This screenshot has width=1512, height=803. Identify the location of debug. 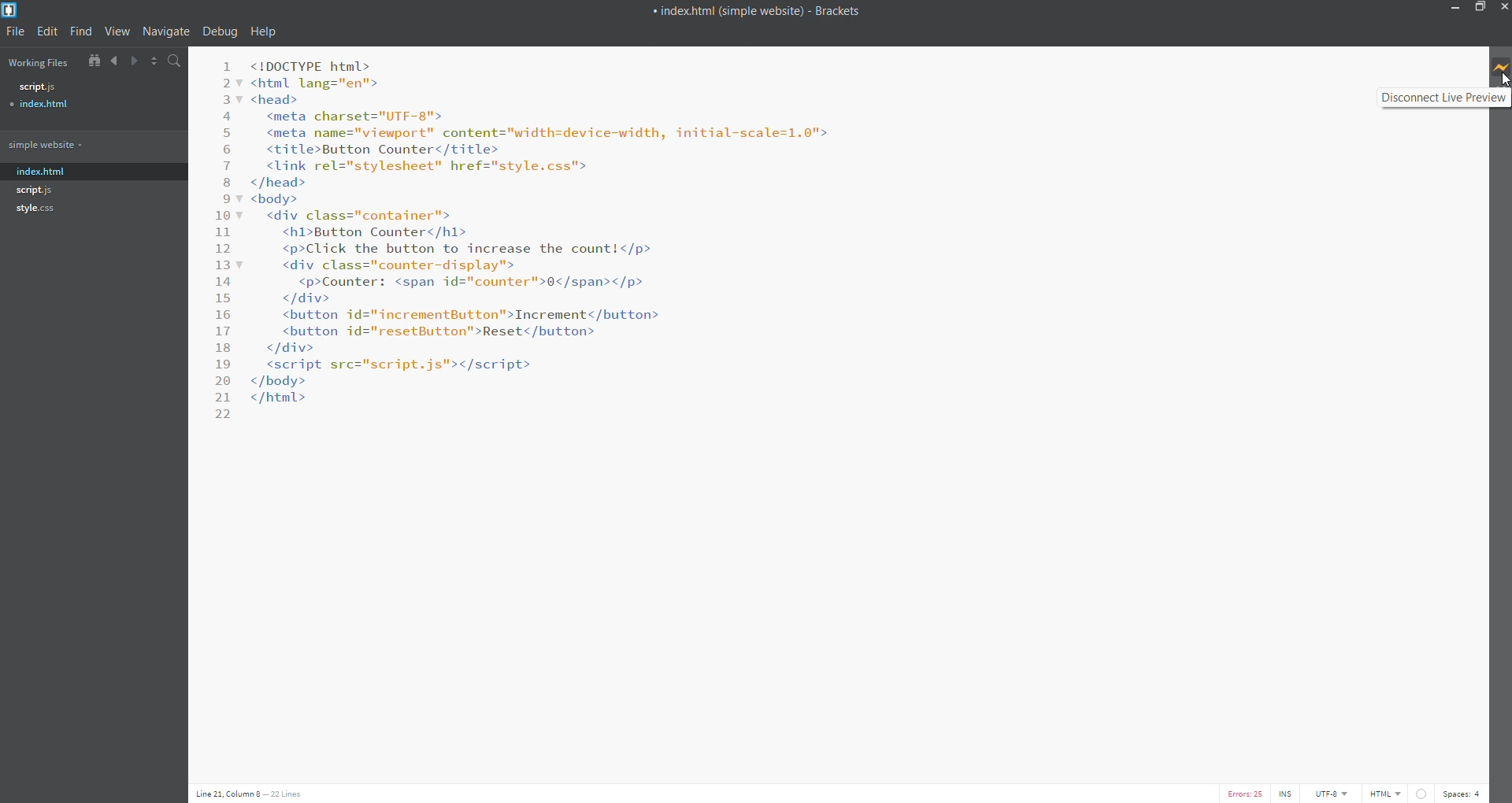
(218, 33).